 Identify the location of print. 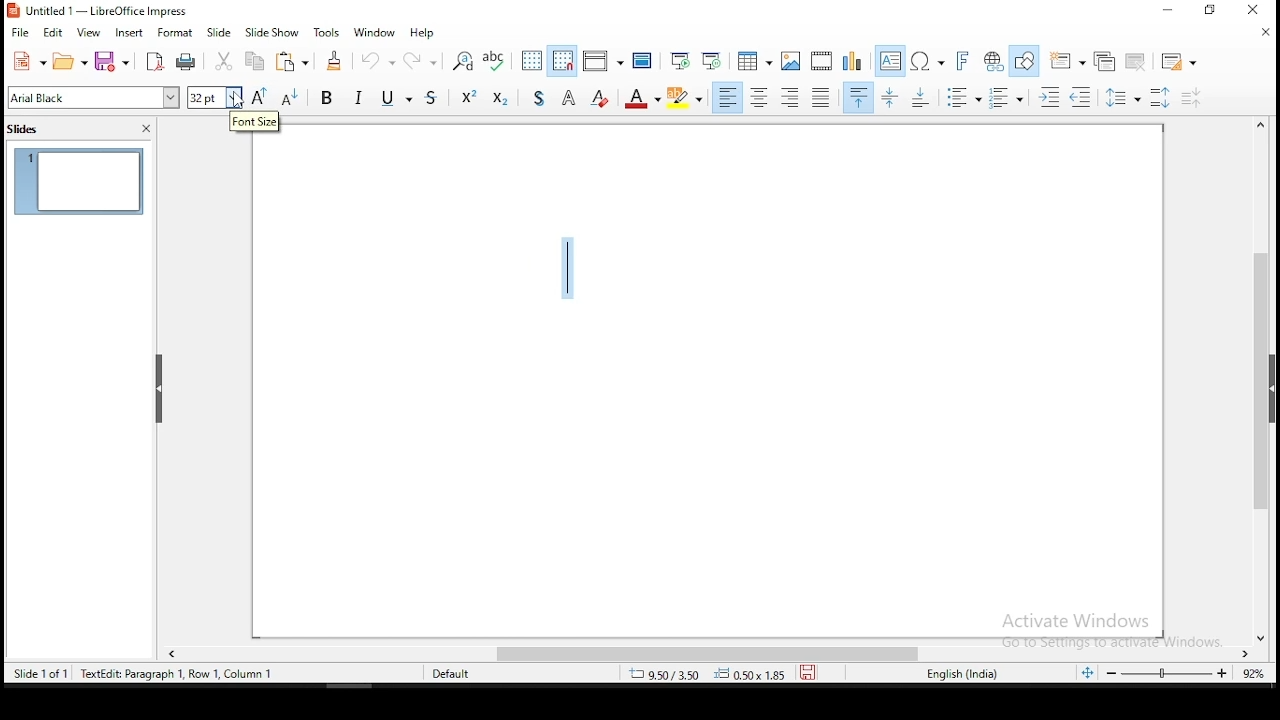
(186, 63).